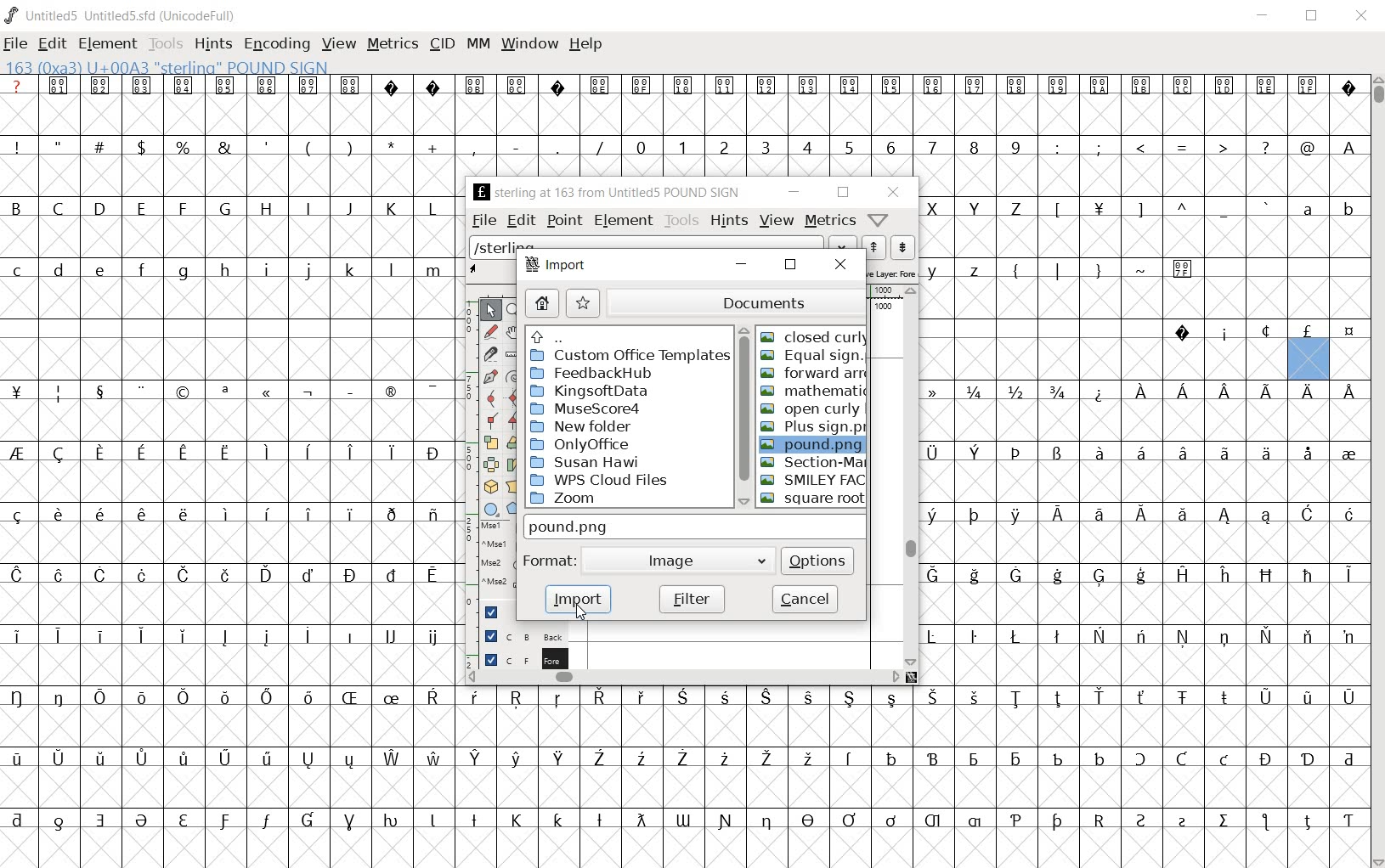 This screenshot has width=1385, height=868. What do you see at coordinates (556, 85) in the screenshot?
I see `Symbol` at bounding box center [556, 85].